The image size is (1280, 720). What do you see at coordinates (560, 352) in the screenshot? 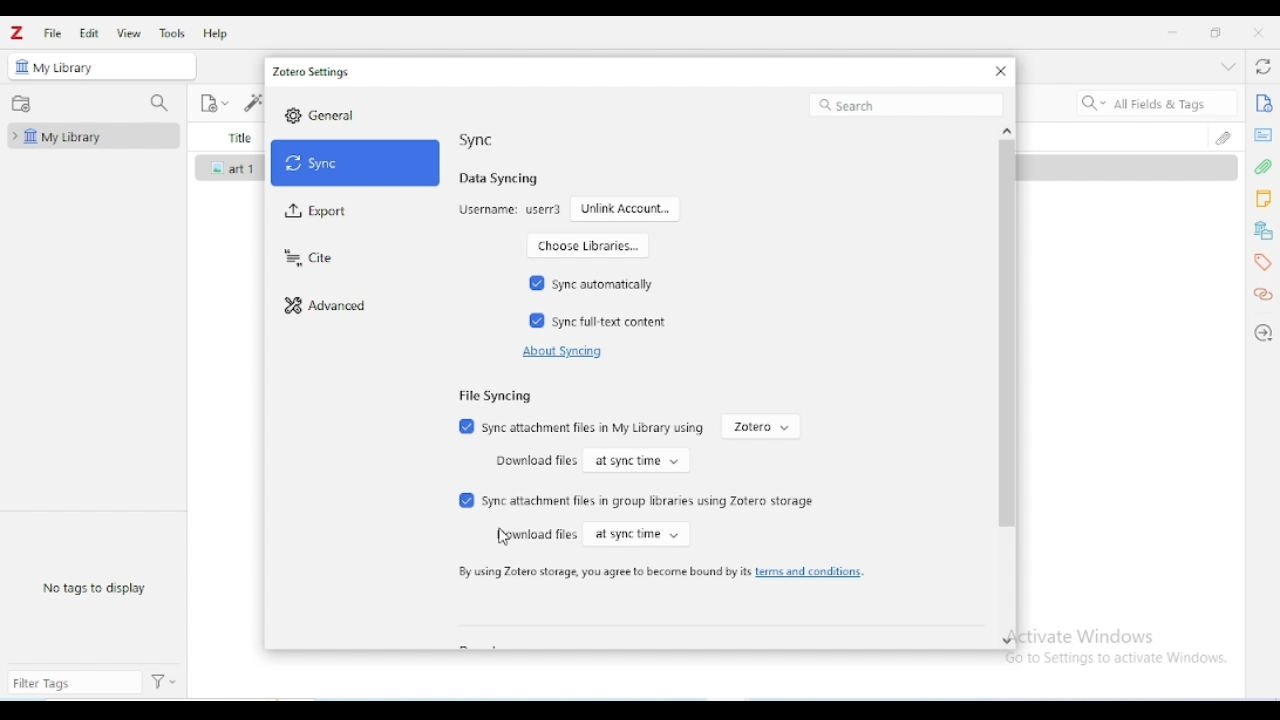
I see `about syncing` at bounding box center [560, 352].